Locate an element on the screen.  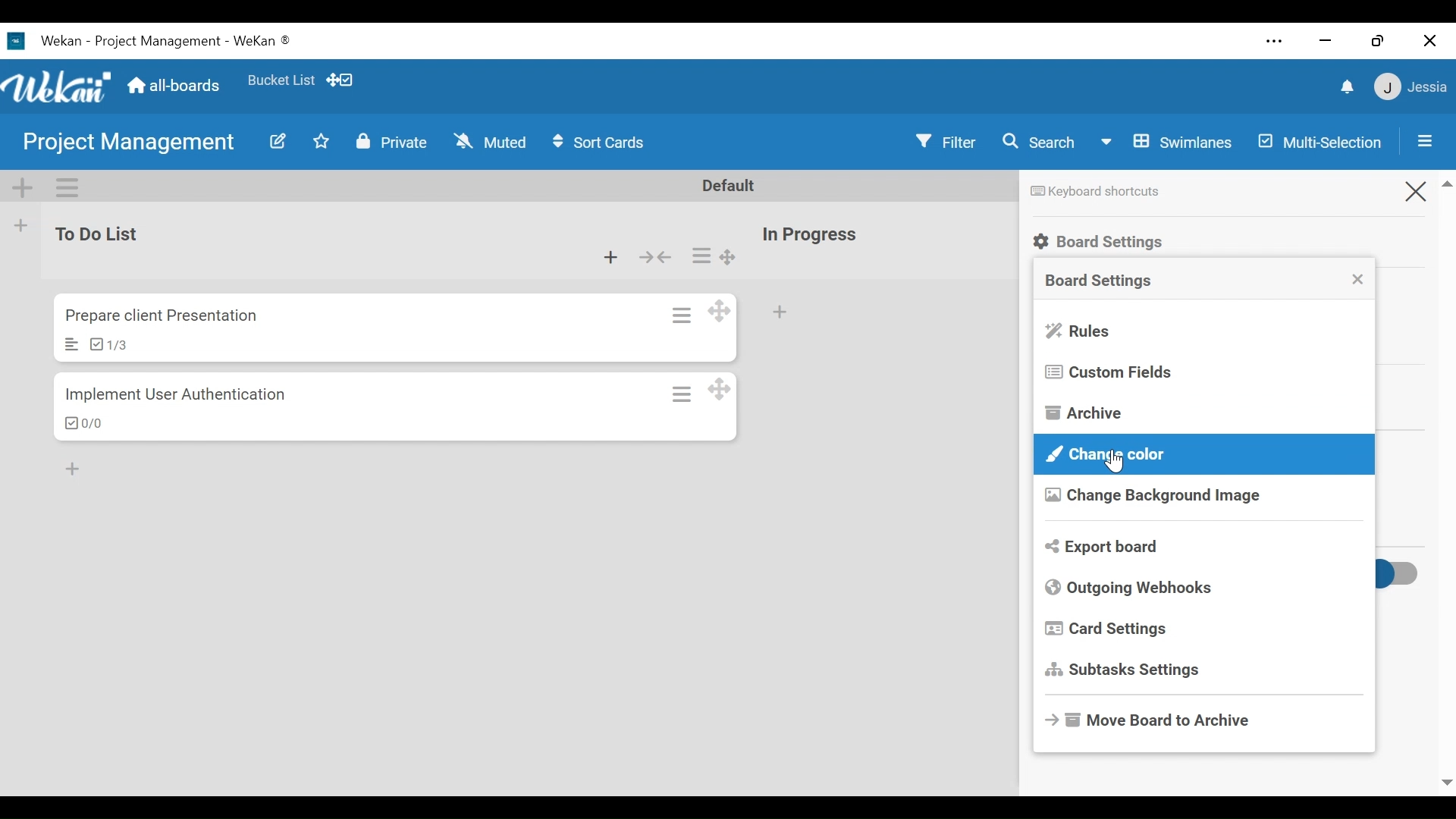
Default is located at coordinates (730, 187).